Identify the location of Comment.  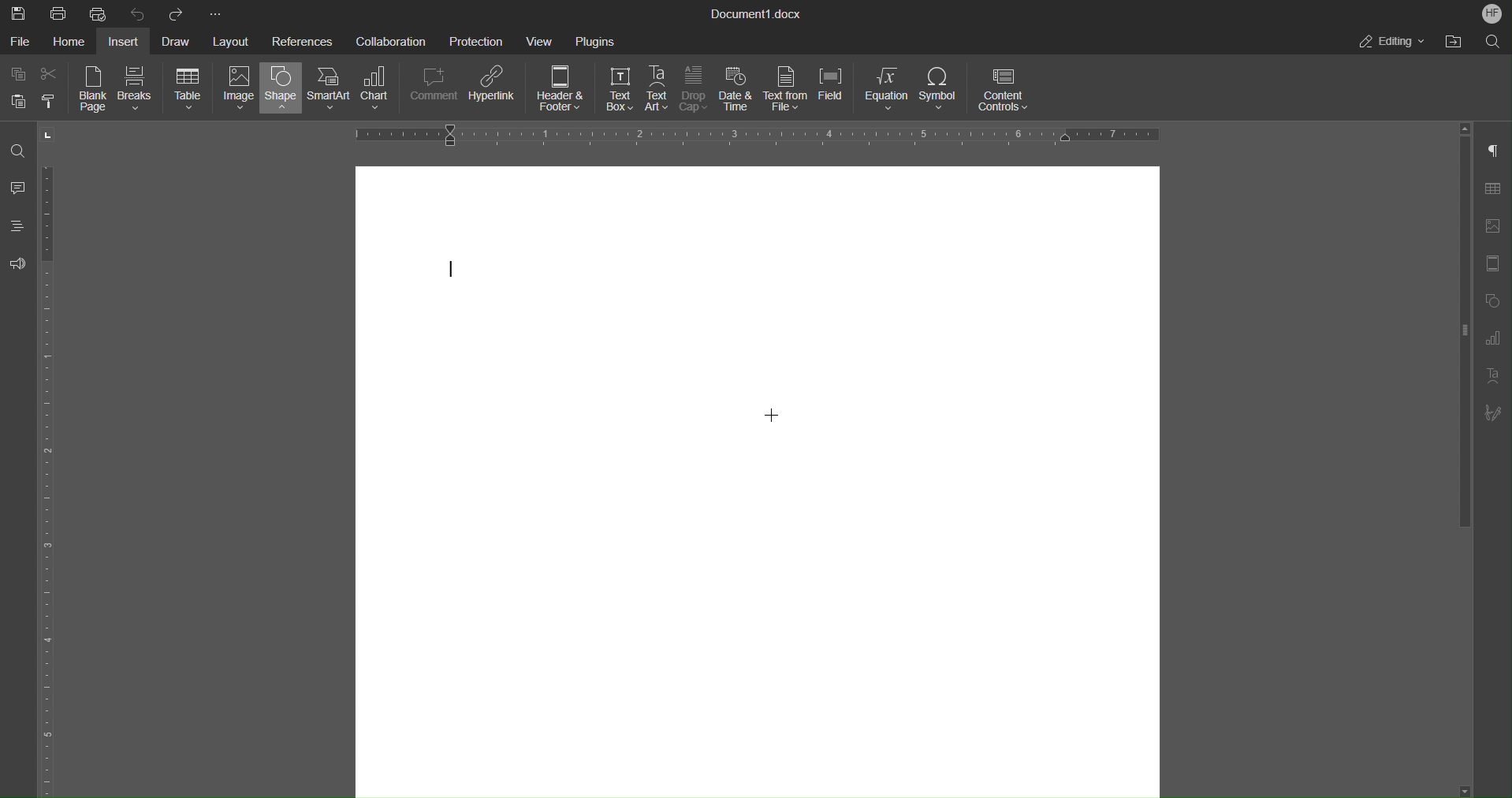
(435, 91).